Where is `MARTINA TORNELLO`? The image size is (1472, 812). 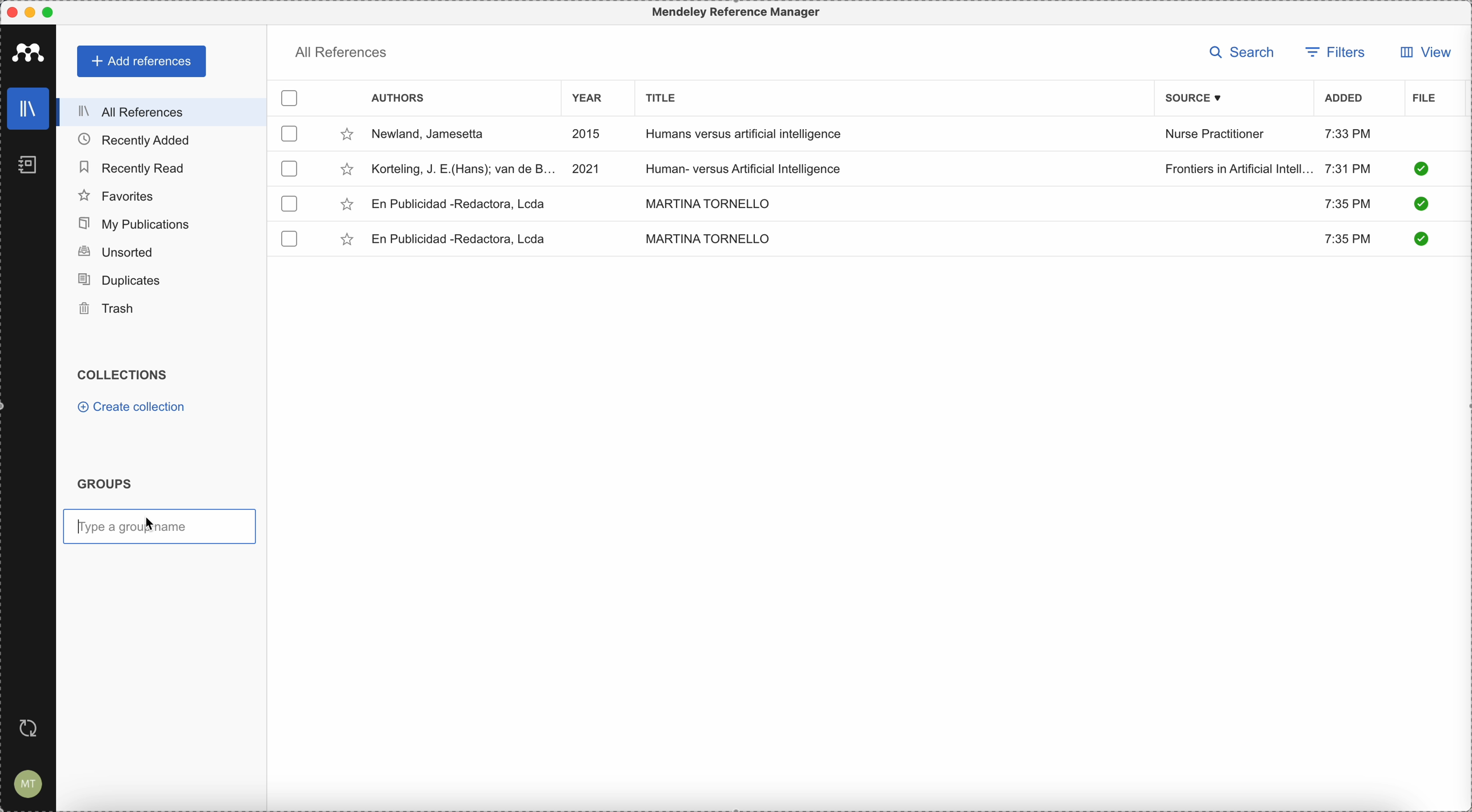
MARTINA TORNELLO is located at coordinates (705, 202).